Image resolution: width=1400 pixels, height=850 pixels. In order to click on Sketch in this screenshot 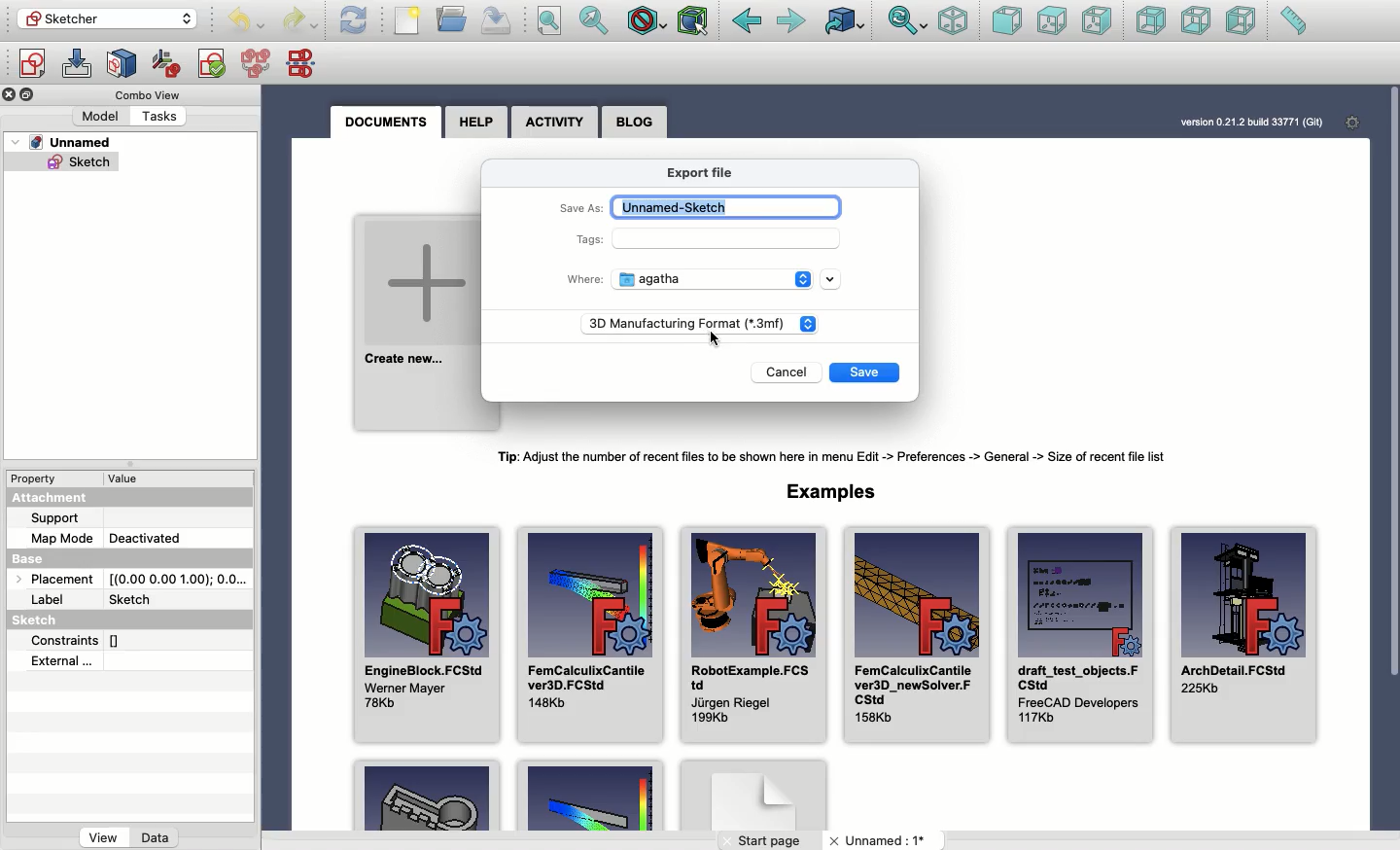, I will do `click(64, 164)`.